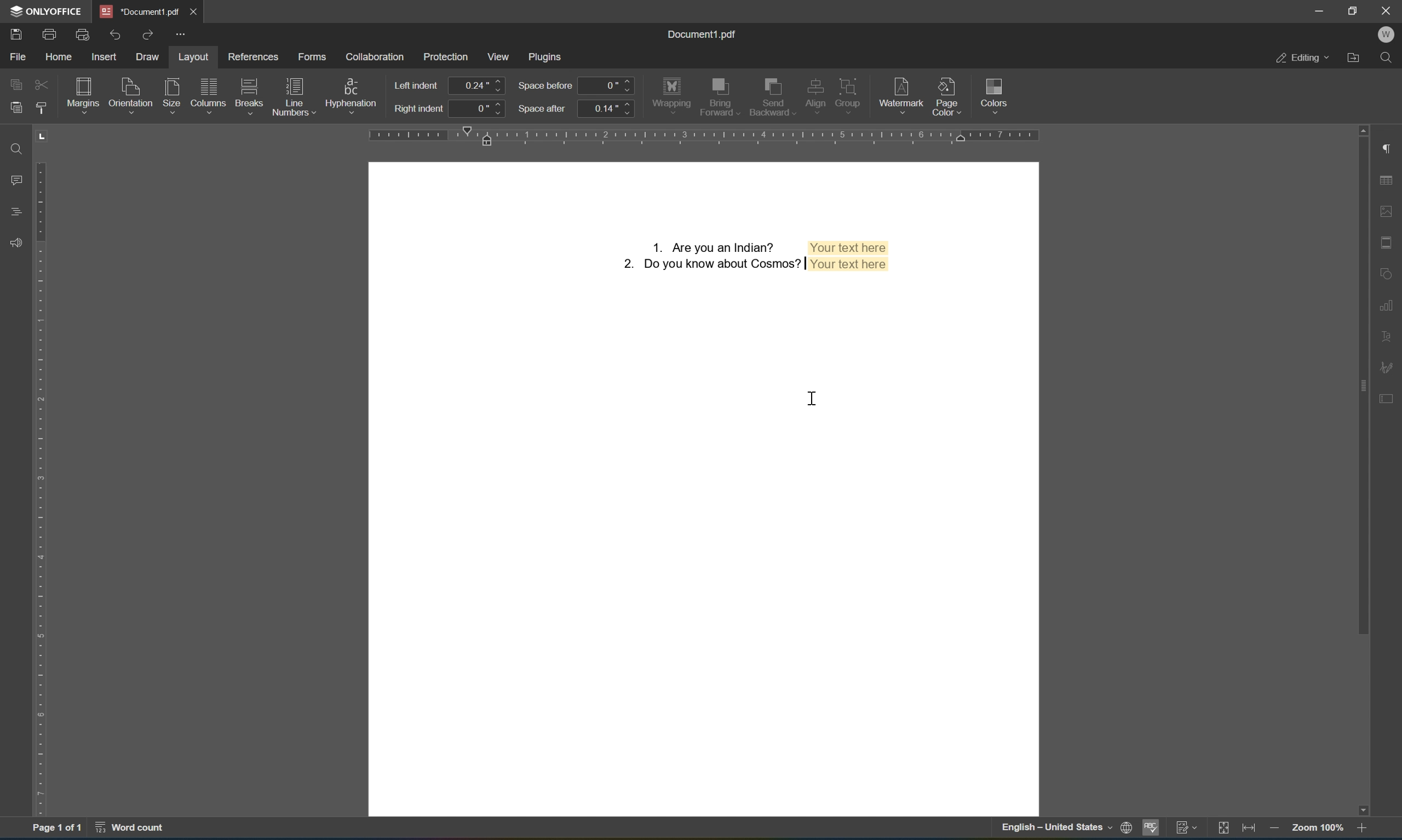  What do you see at coordinates (1386, 11) in the screenshot?
I see `close` at bounding box center [1386, 11].